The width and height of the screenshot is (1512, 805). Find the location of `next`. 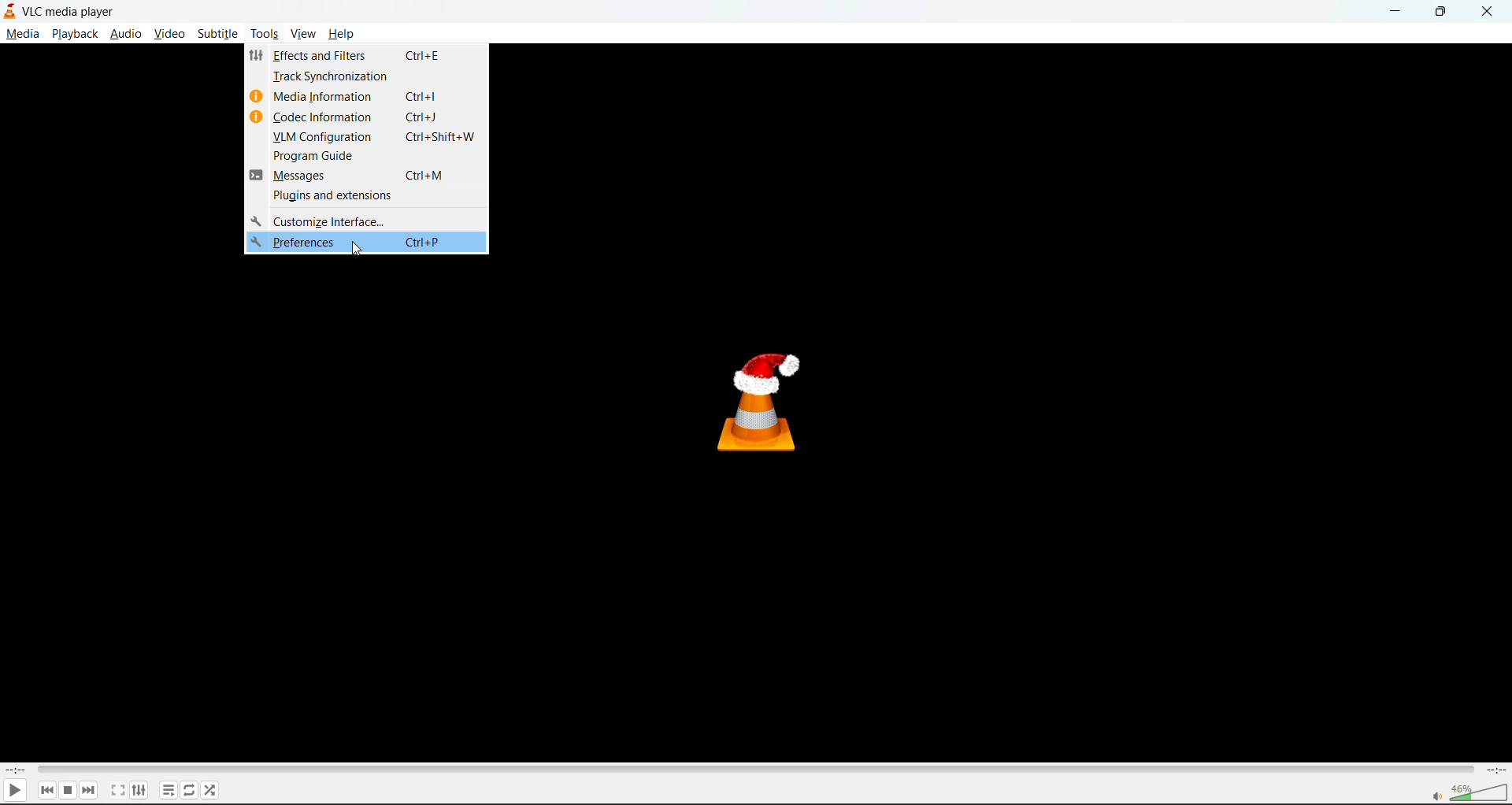

next is located at coordinates (92, 789).